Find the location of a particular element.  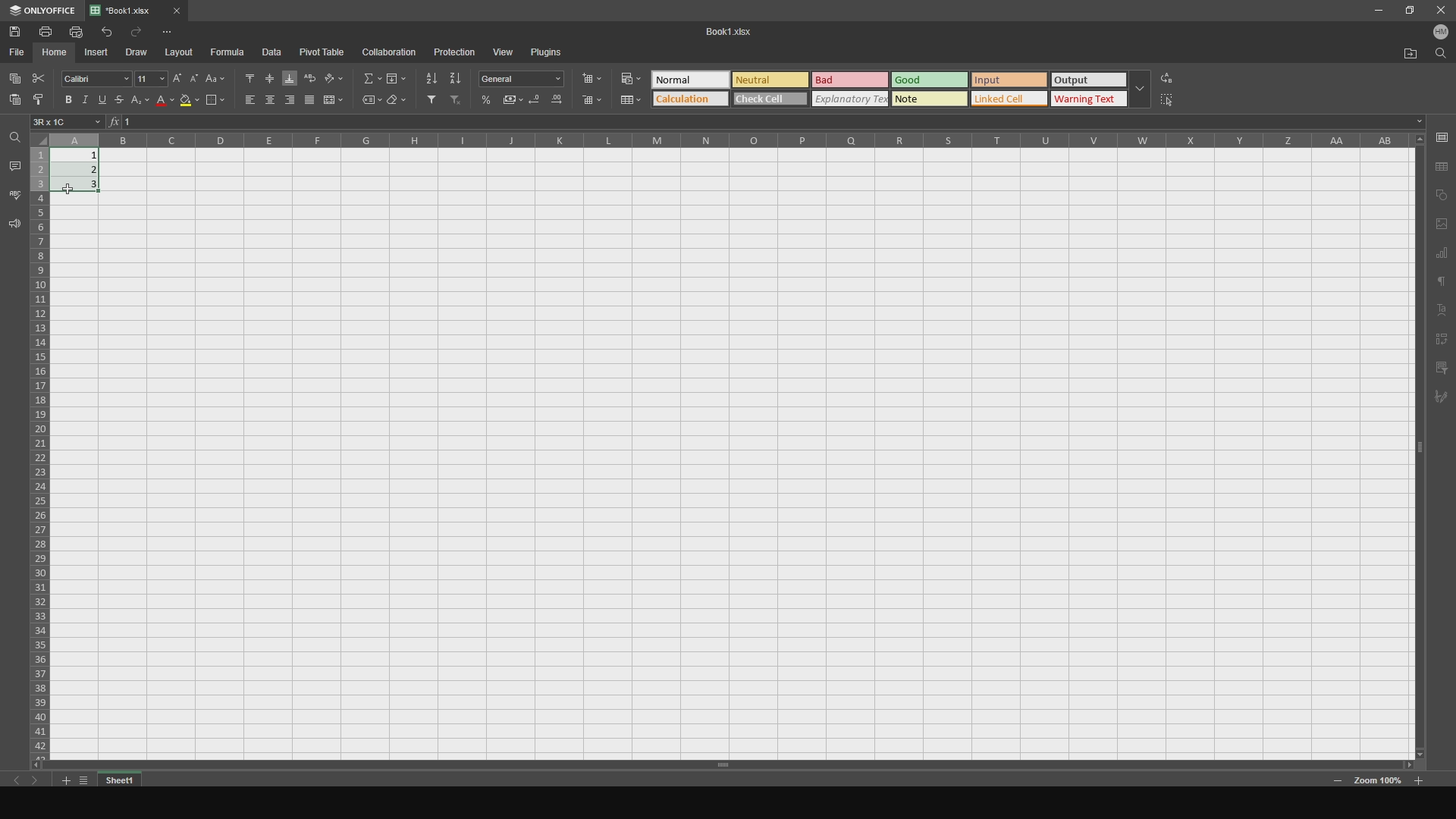

align top is located at coordinates (246, 76).